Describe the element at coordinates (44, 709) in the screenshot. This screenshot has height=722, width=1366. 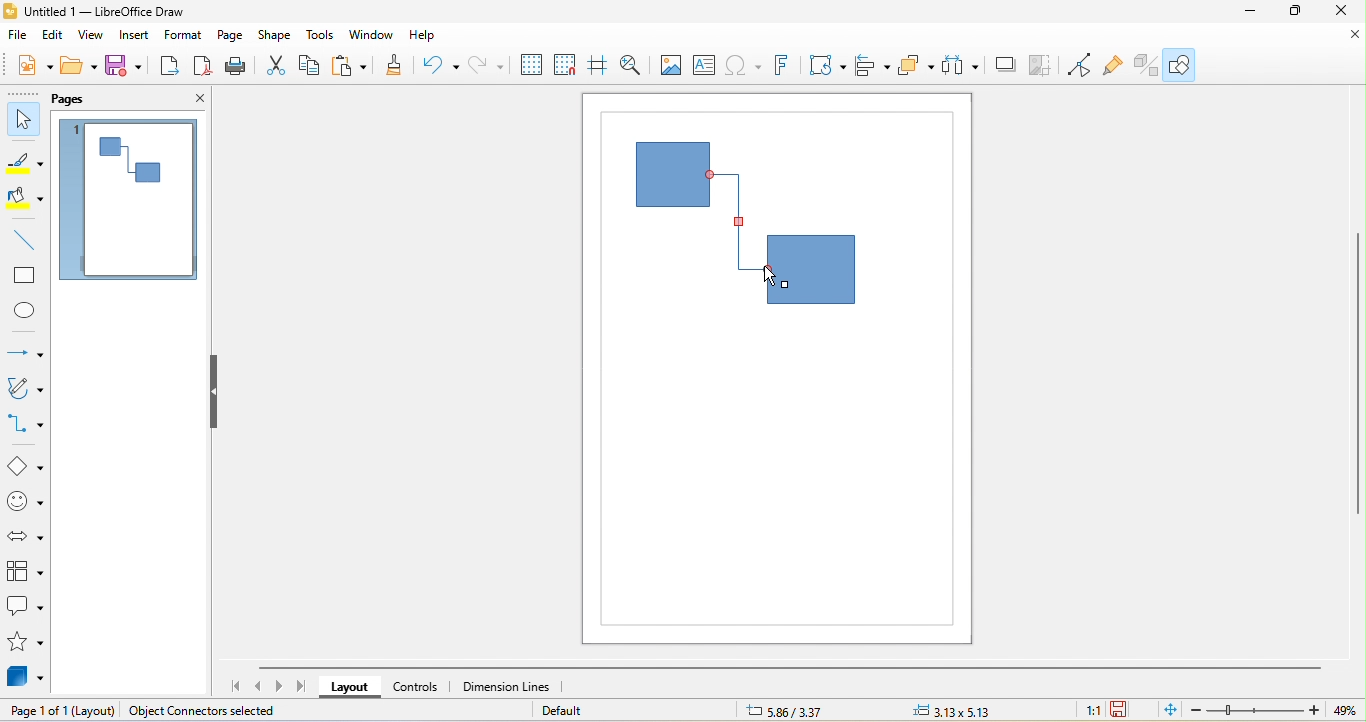
I see `page 1 of 1` at that location.